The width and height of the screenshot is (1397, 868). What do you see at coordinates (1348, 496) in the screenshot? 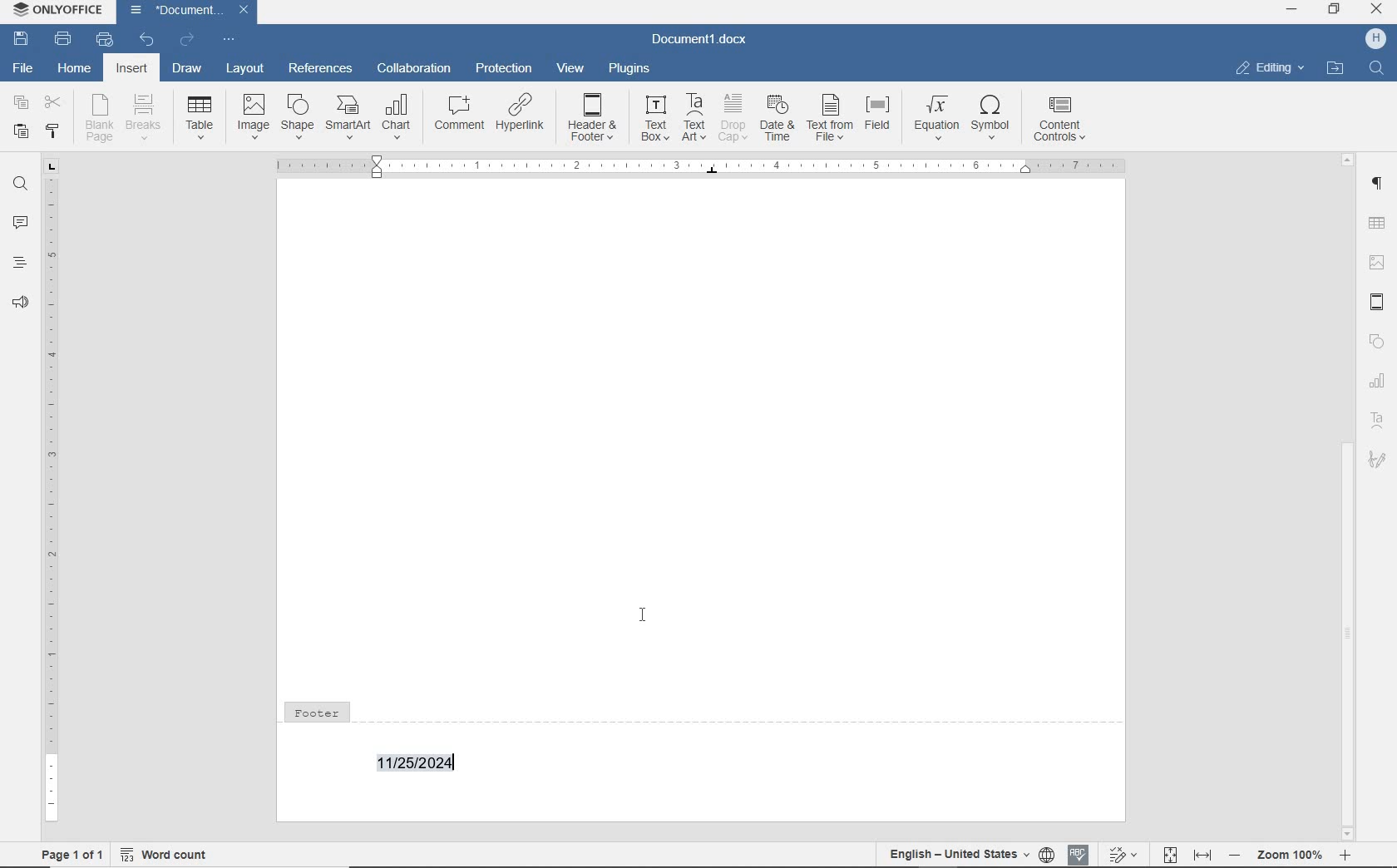
I see `scrollbar` at bounding box center [1348, 496].